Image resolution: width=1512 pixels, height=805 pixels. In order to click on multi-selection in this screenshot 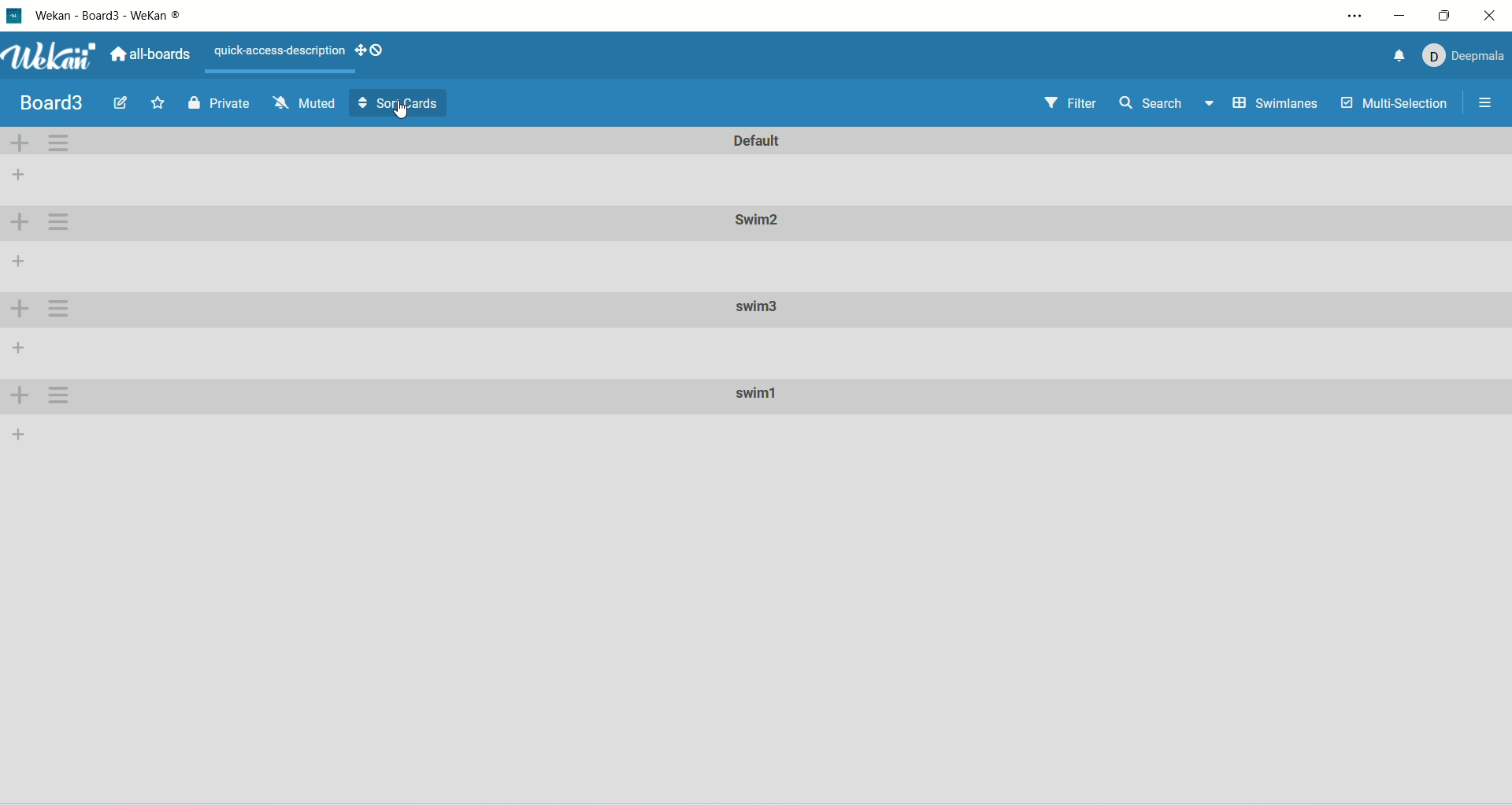, I will do `click(1395, 105)`.